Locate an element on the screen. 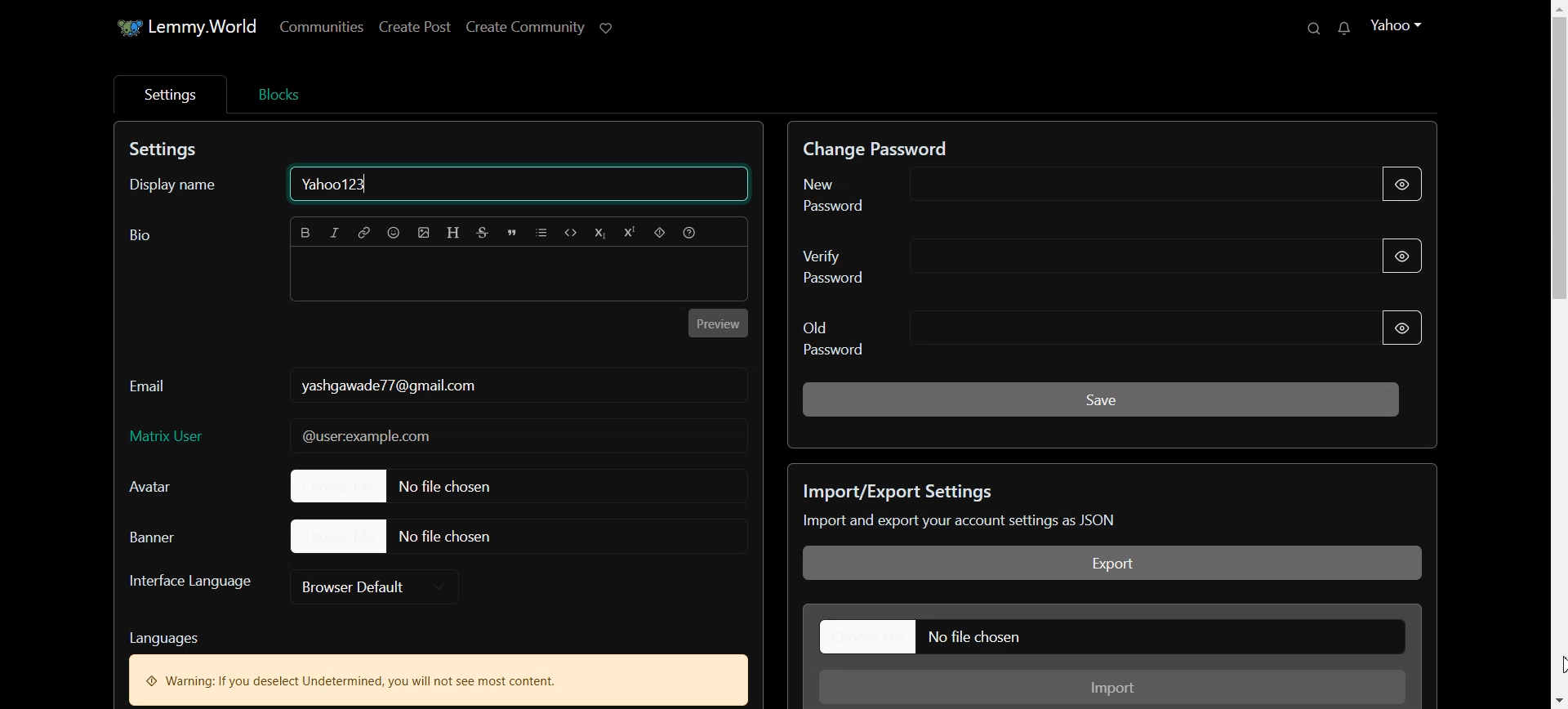 This screenshot has width=1568, height=709. Text is located at coordinates (140, 235).